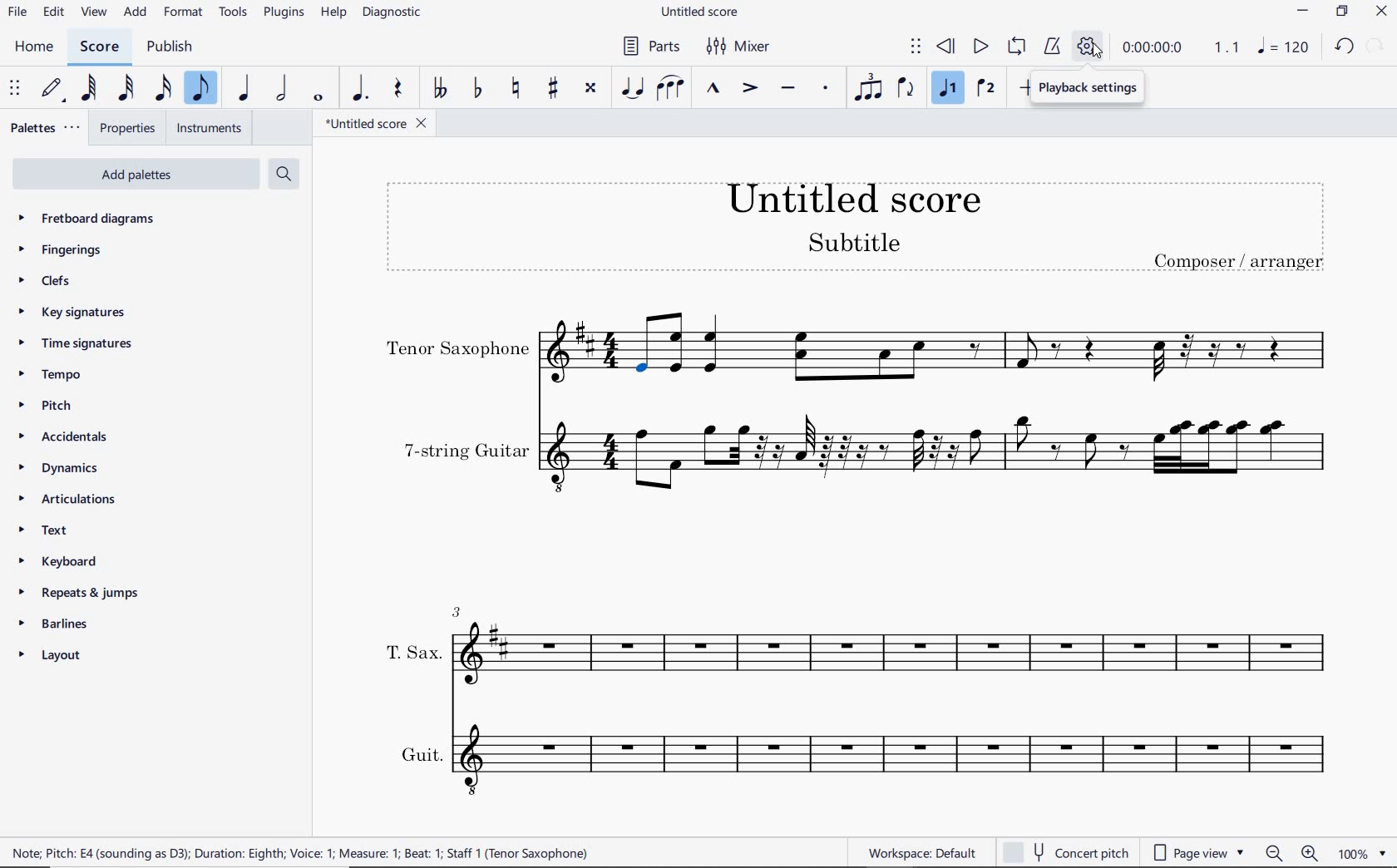 This screenshot has width=1397, height=868. What do you see at coordinates (44, 126) in the screenshot?
I see `PALETTES` at bounding box center [44, 126].